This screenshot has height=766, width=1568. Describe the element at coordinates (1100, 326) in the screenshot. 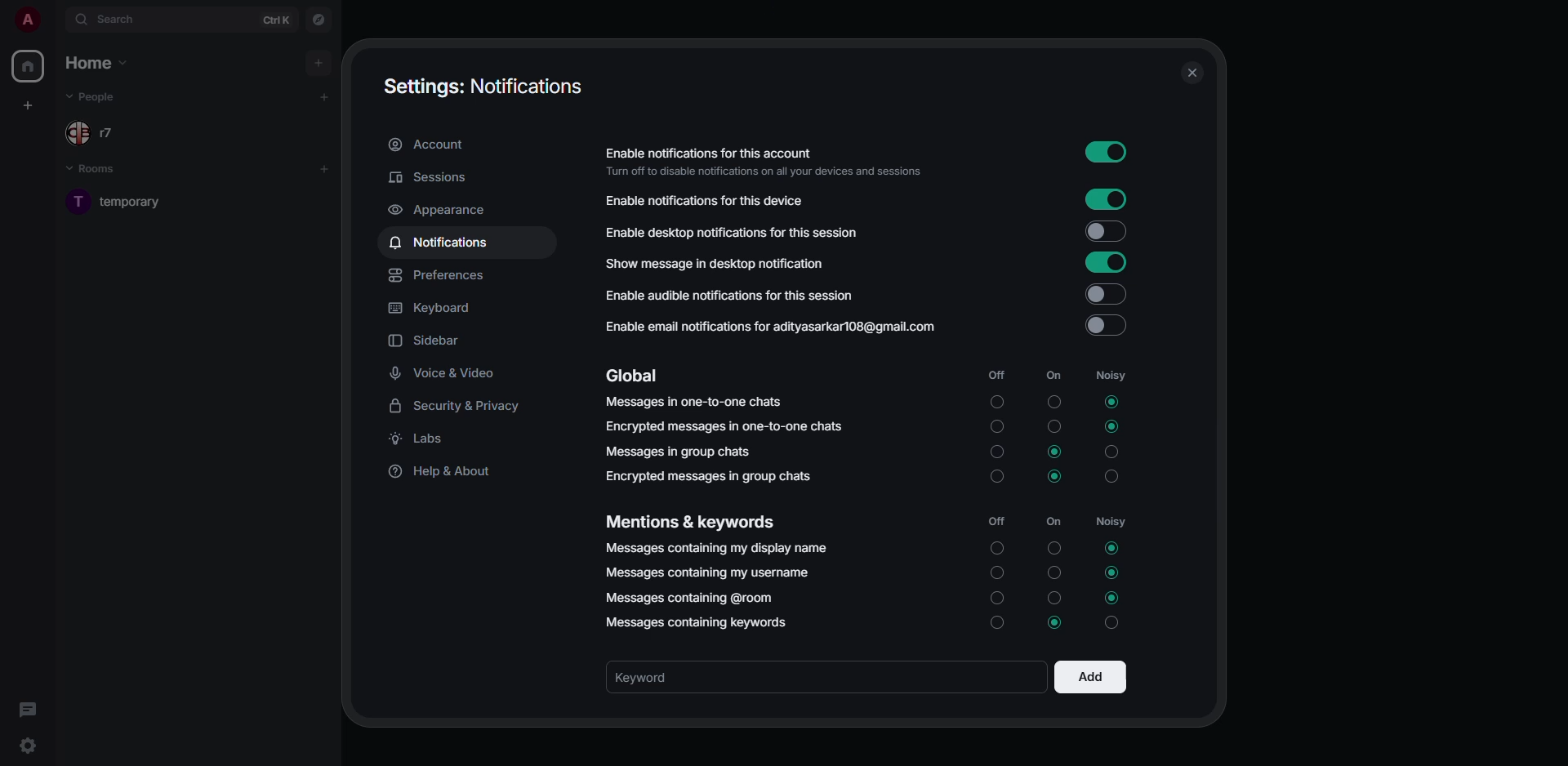

I see `click to enable/disable` at that location.